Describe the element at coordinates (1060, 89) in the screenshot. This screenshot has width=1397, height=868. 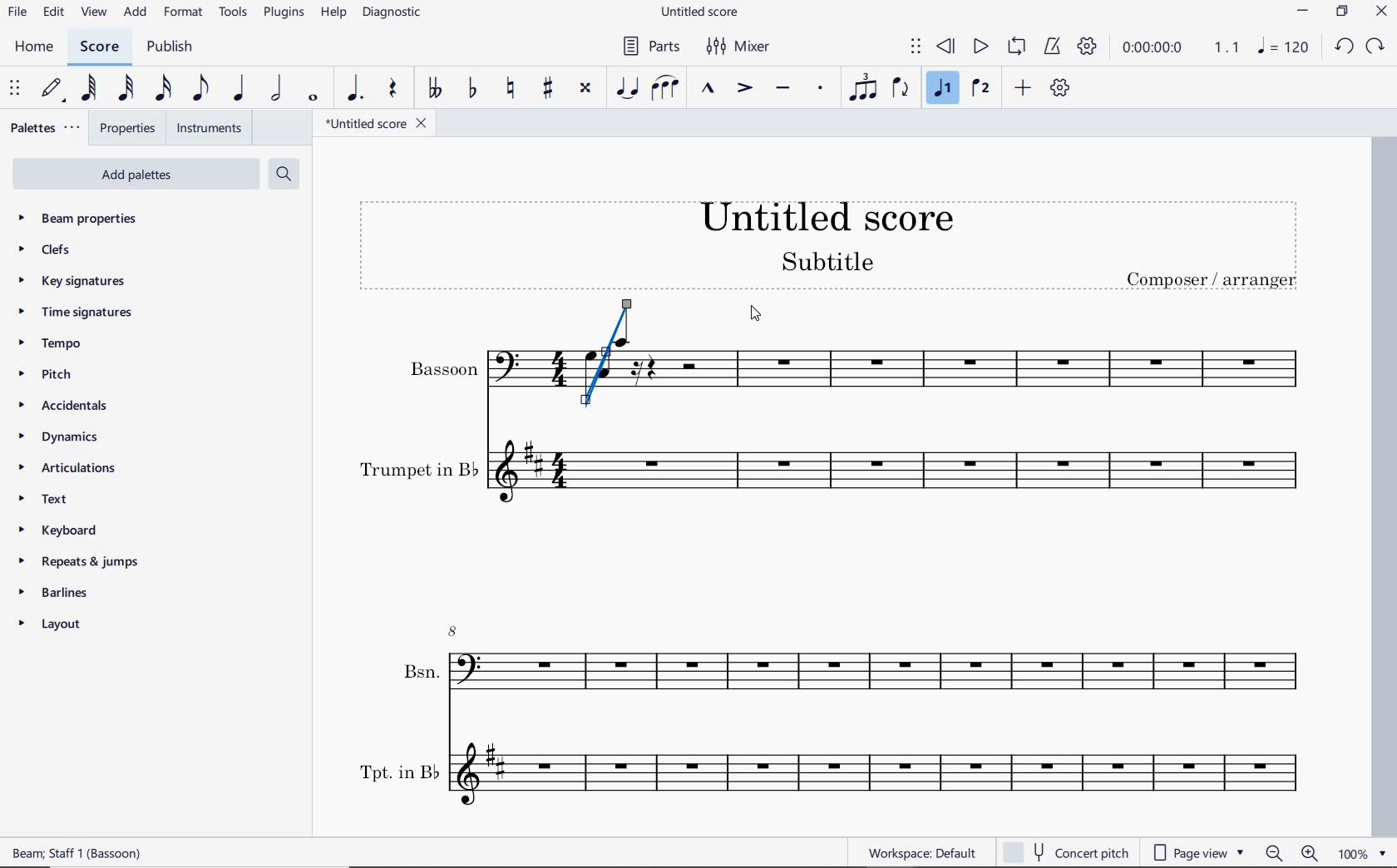
I see `customize toolbar` at that location.